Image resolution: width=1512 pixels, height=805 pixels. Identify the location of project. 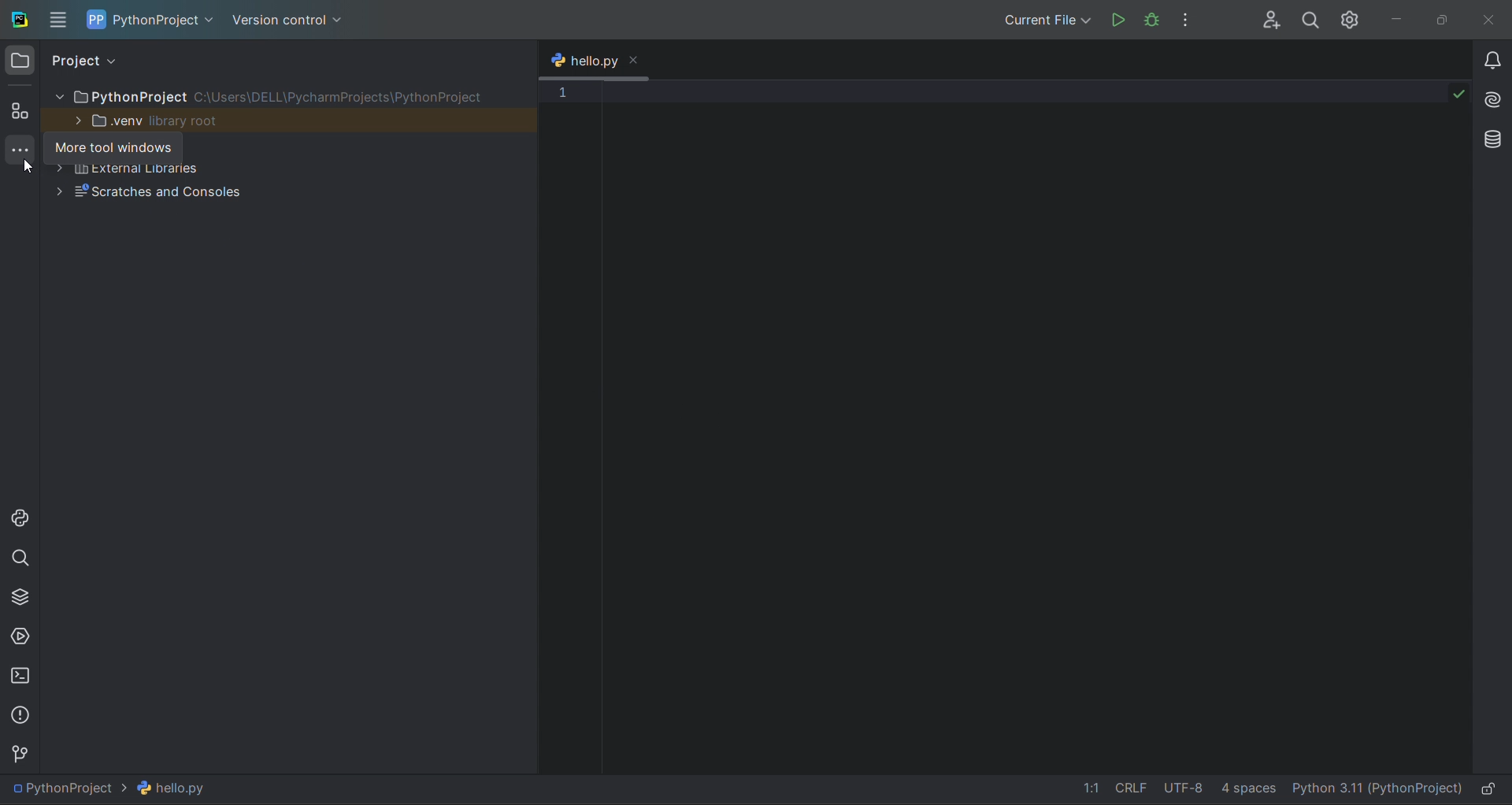
(90, 61).